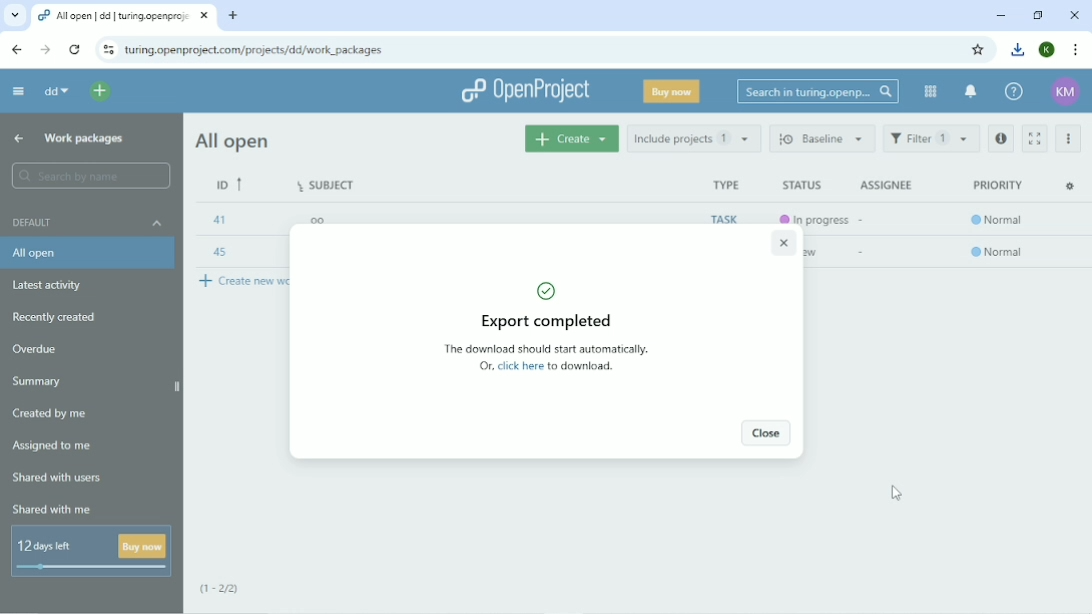  What do you see at coordinates (673, 91) in the screenshot?
I see `Buy now` at bounding box center [673, 91].